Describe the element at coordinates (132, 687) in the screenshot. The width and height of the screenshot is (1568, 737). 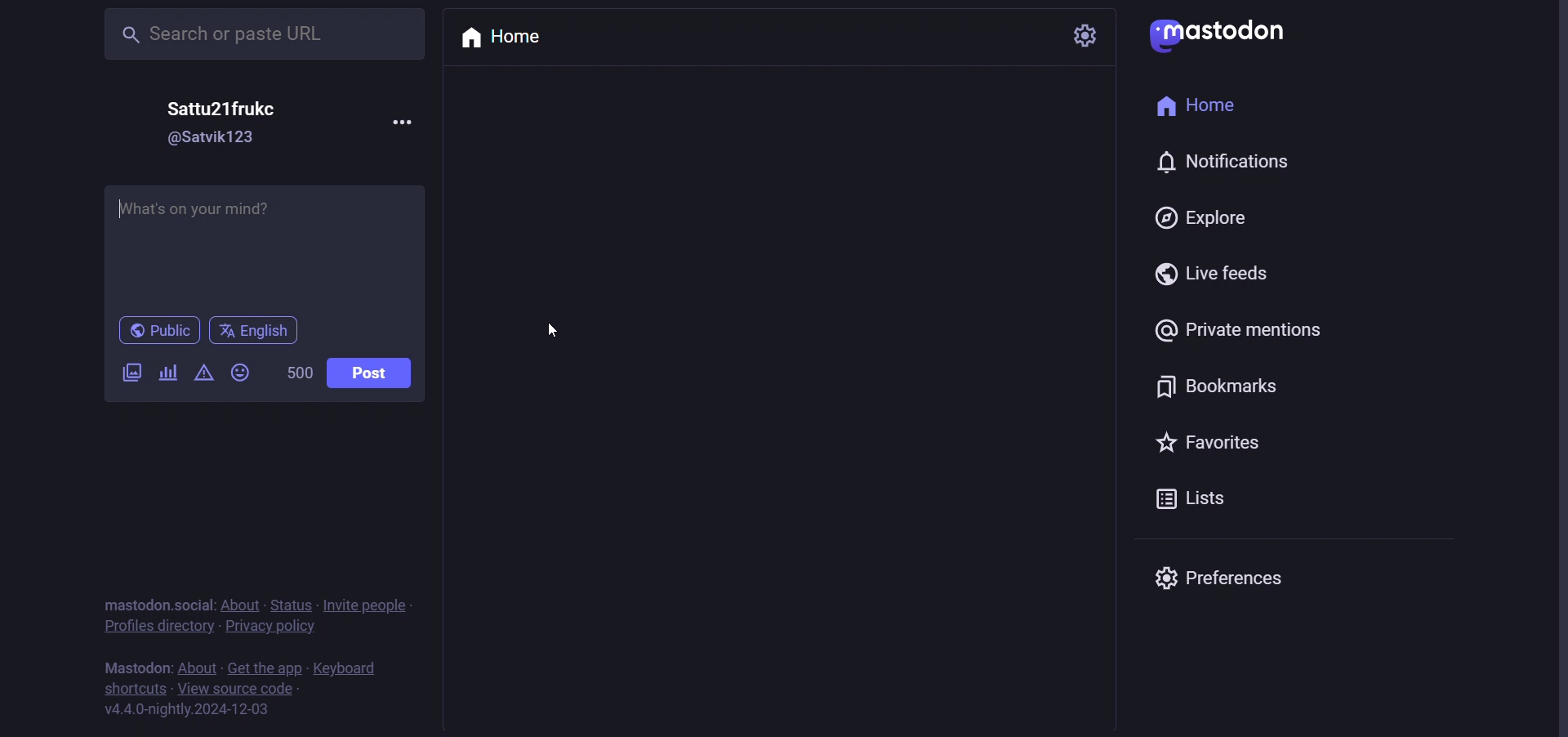
I see `shortcut` at that location.